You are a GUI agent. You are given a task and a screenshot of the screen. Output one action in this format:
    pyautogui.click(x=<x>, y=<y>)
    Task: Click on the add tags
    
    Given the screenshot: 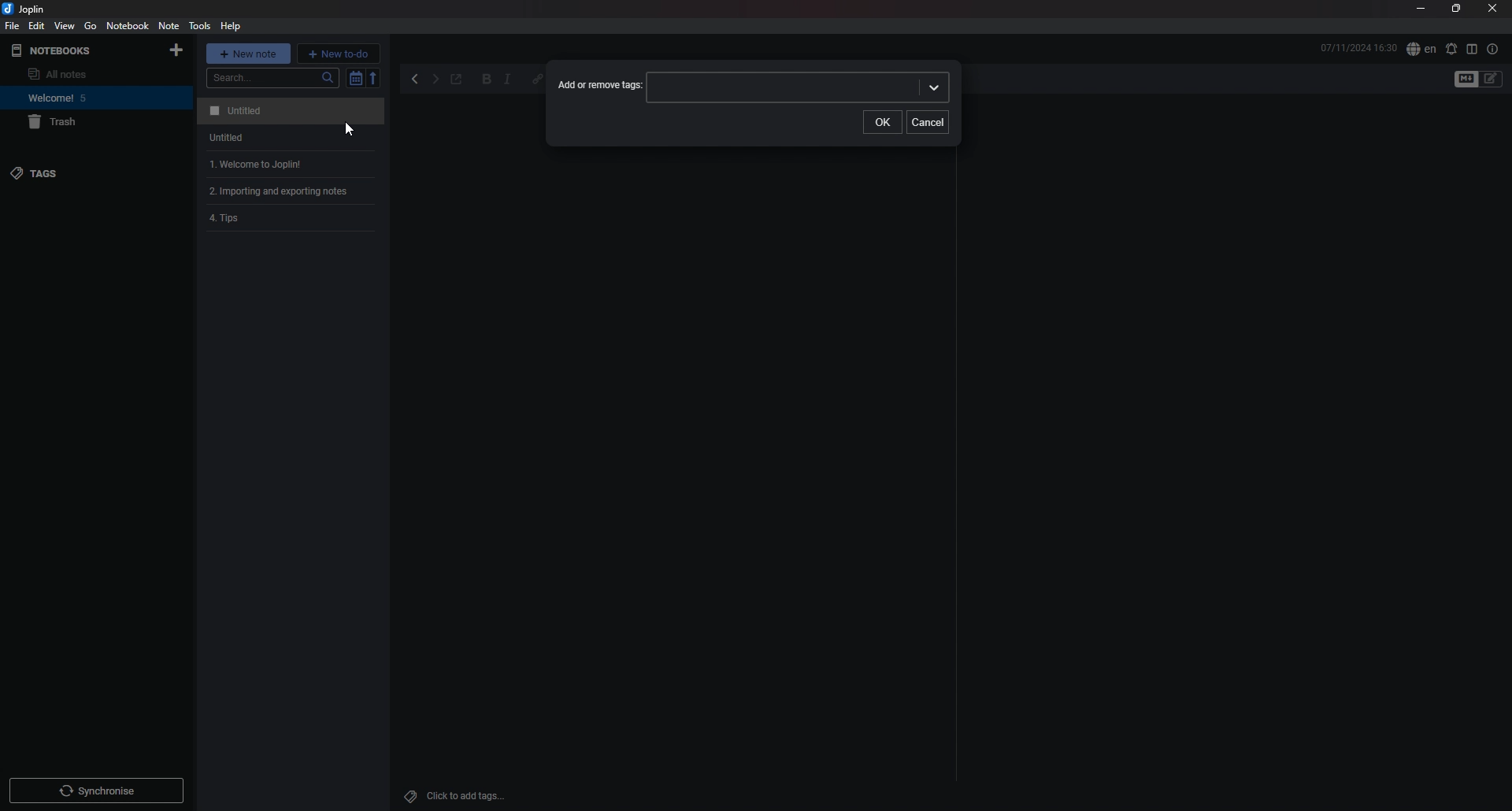 What is the action you would take?
    pyautogui.click(x=461, y=796)
    